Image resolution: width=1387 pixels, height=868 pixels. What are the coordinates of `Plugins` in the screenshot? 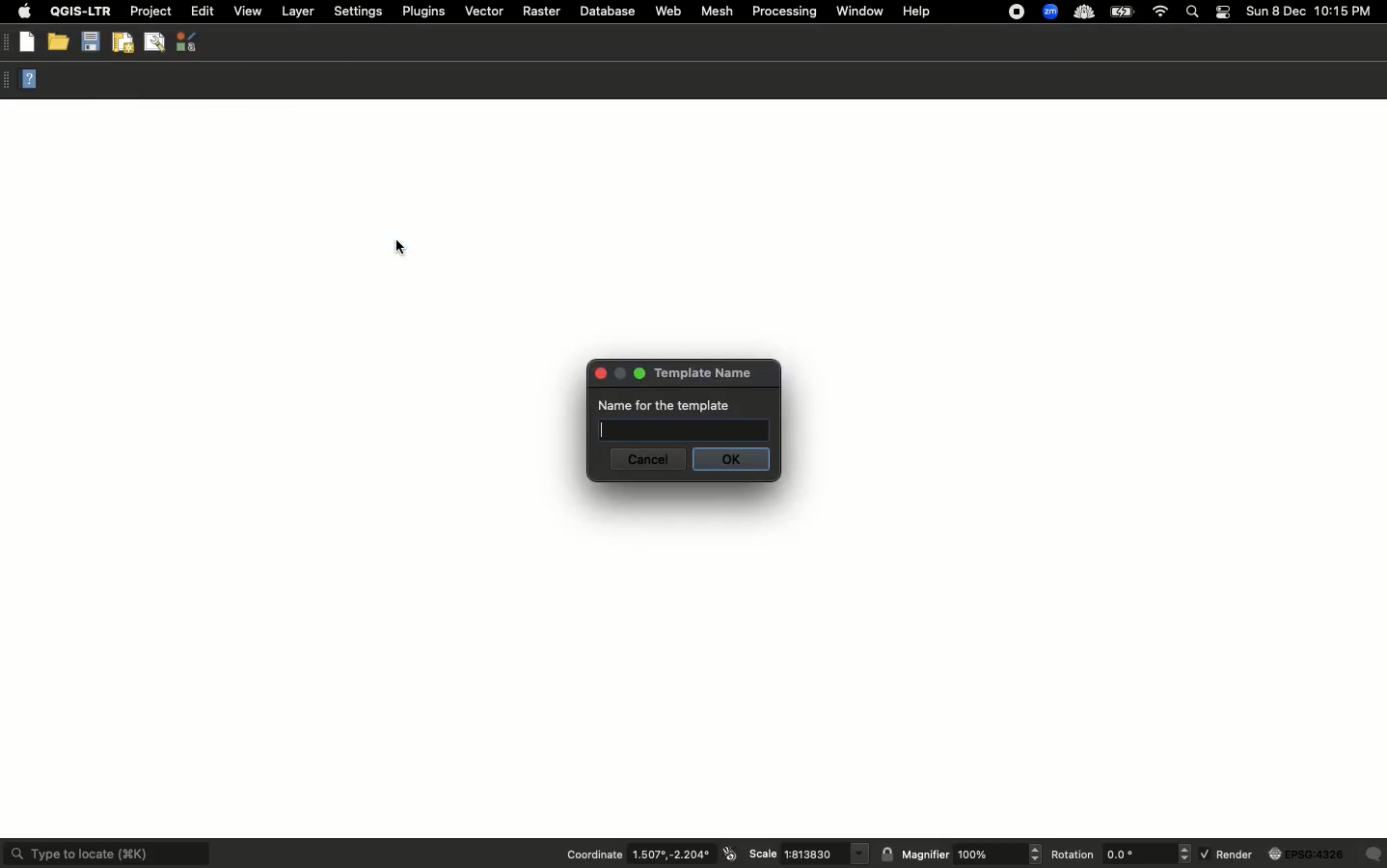 It's located at (424, 12).